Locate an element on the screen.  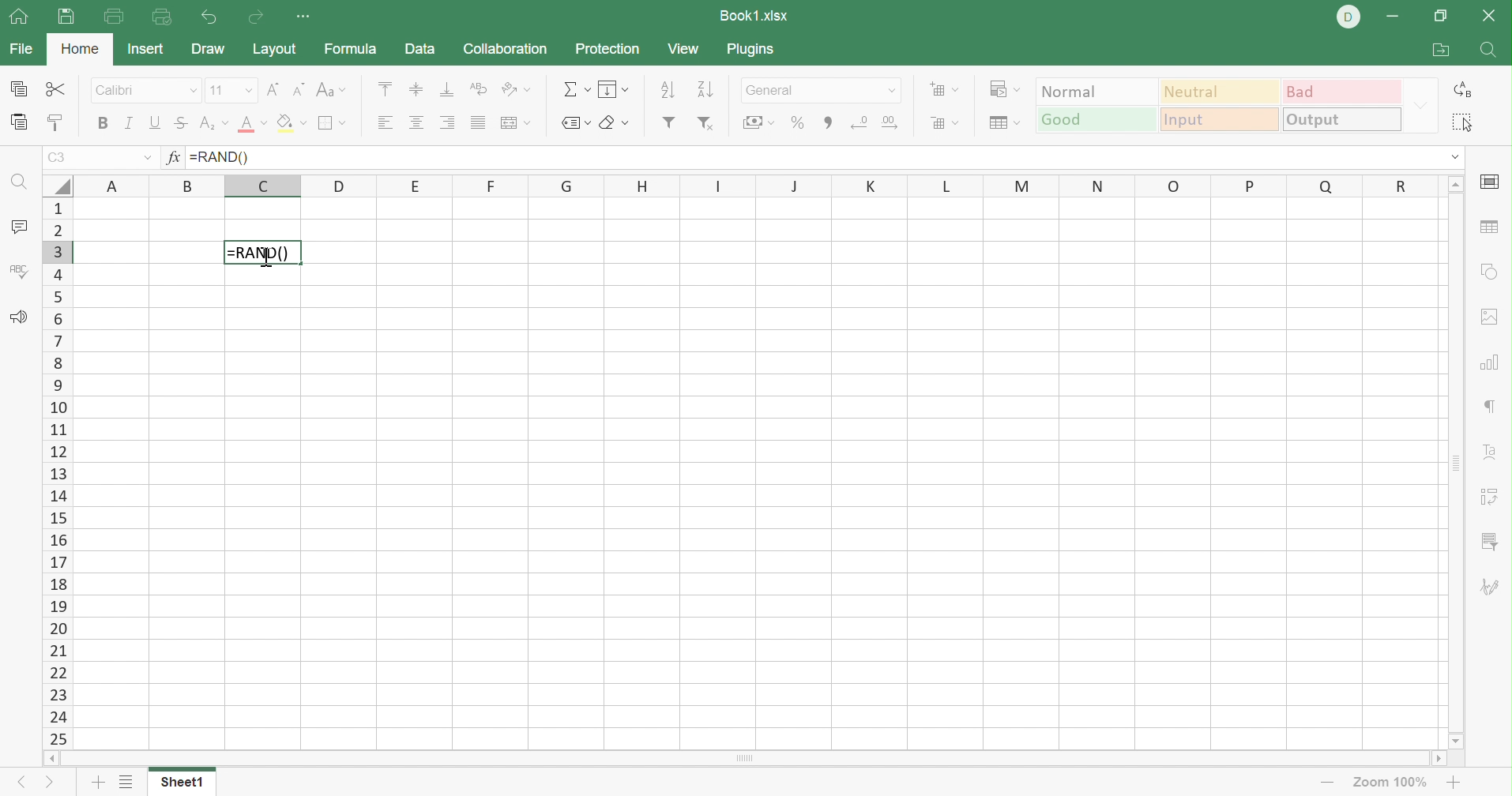
Paste is located at coordinates (21, 123).